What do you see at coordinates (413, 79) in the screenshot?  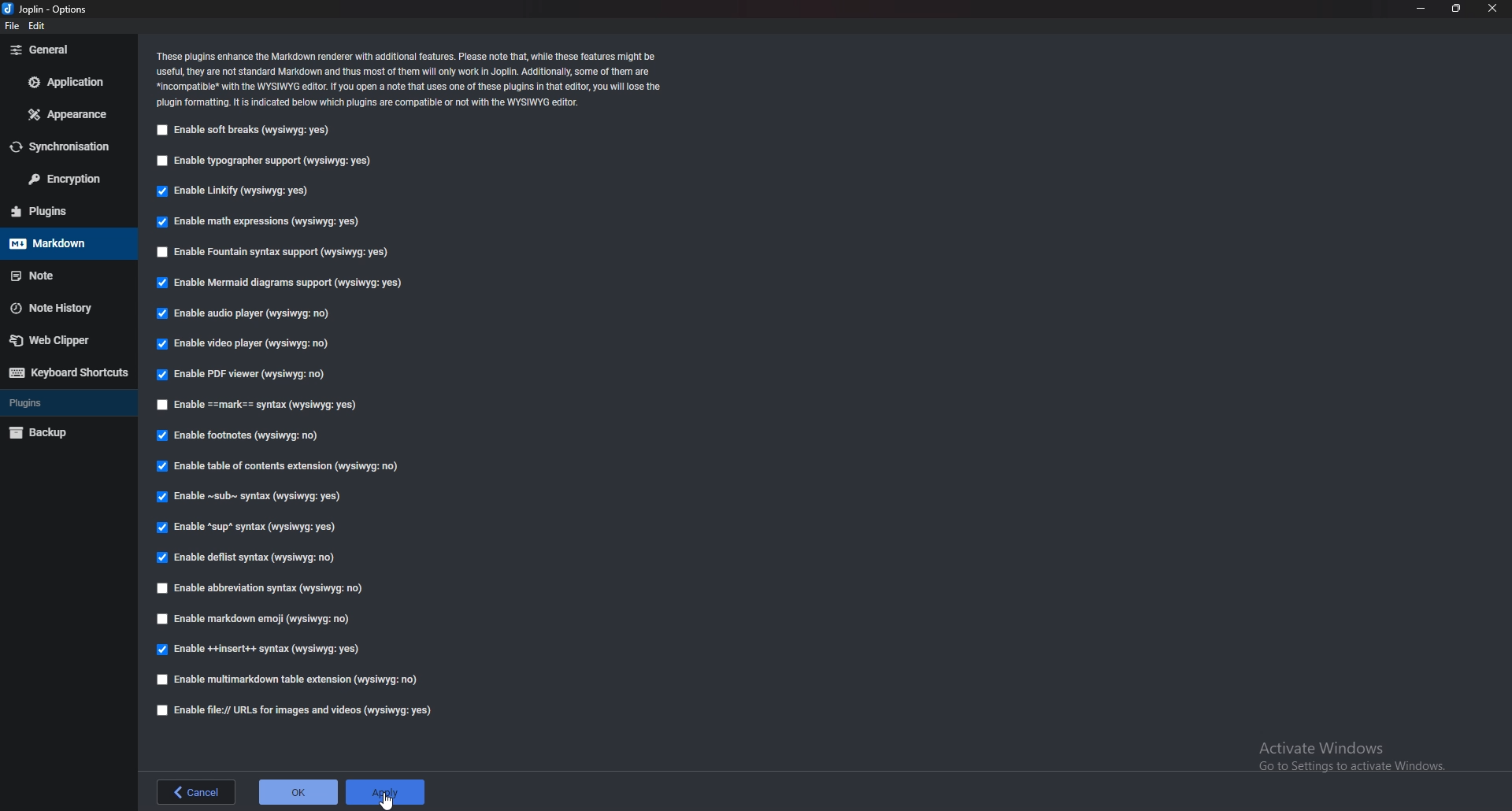 I see `Info` at bounding box center [413, 79].